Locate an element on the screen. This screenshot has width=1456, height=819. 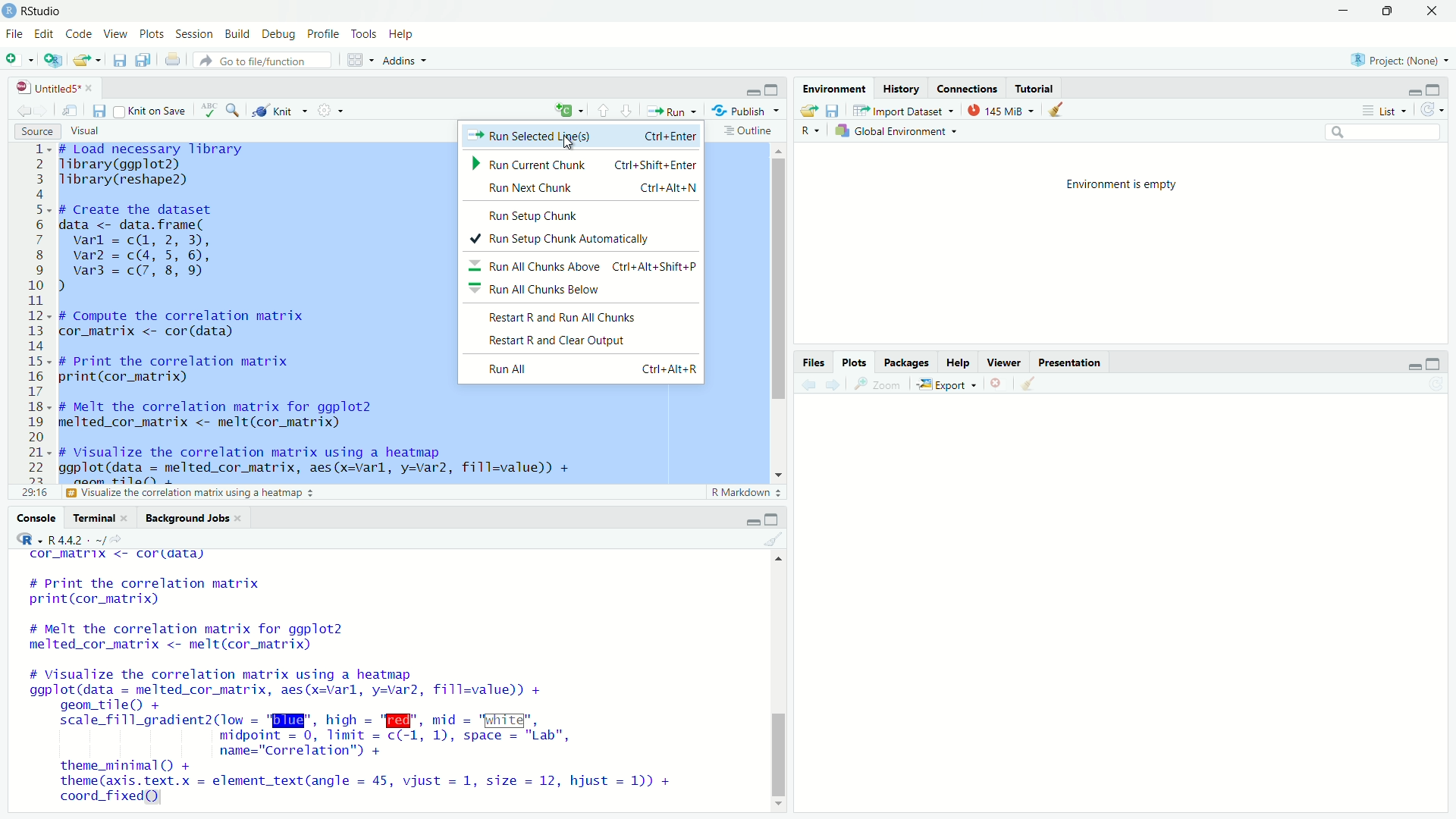
run all chunks below is located at coordinates (585, 290).